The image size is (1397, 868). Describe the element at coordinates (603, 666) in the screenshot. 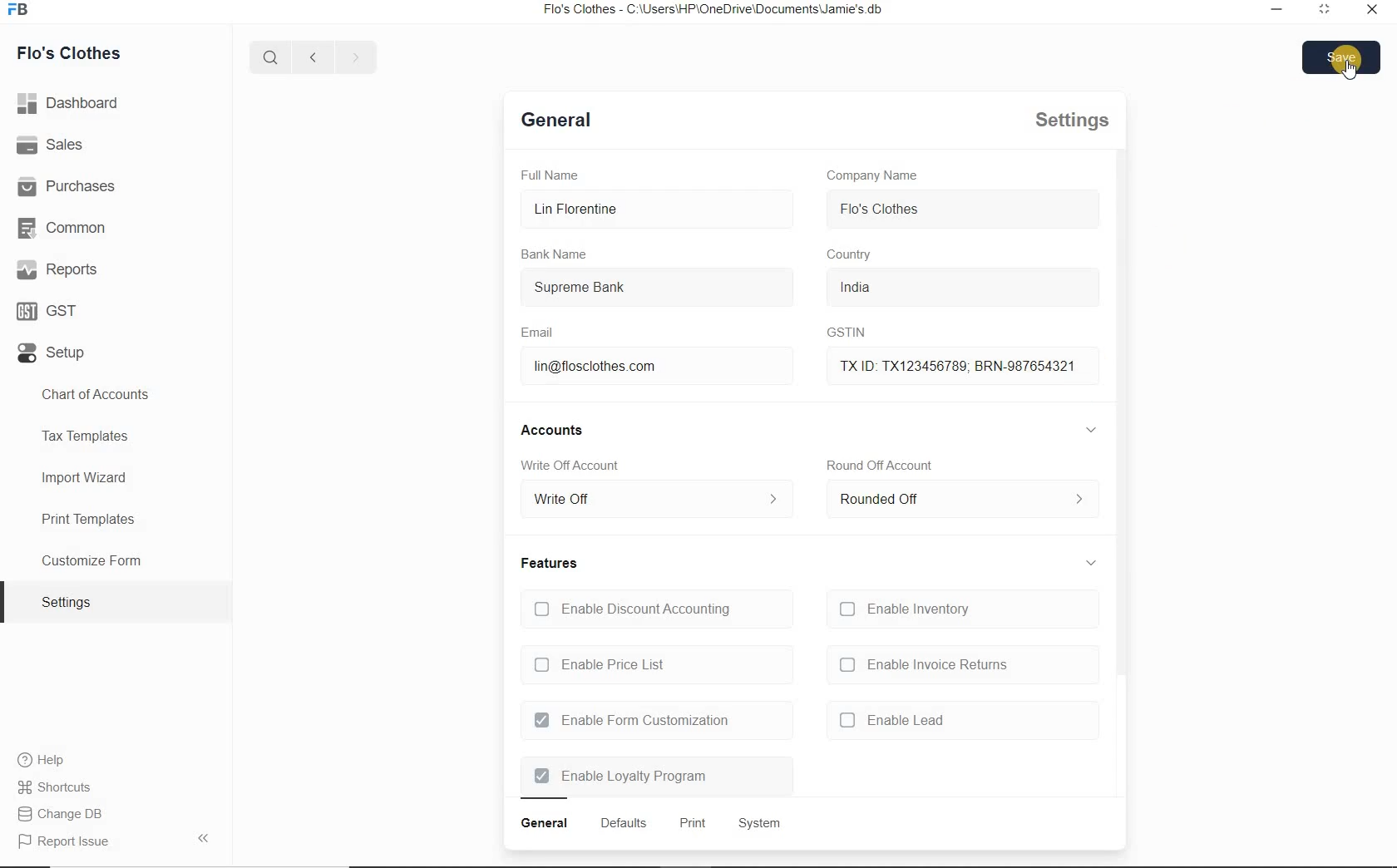

I see `Enable Price List` at that location.